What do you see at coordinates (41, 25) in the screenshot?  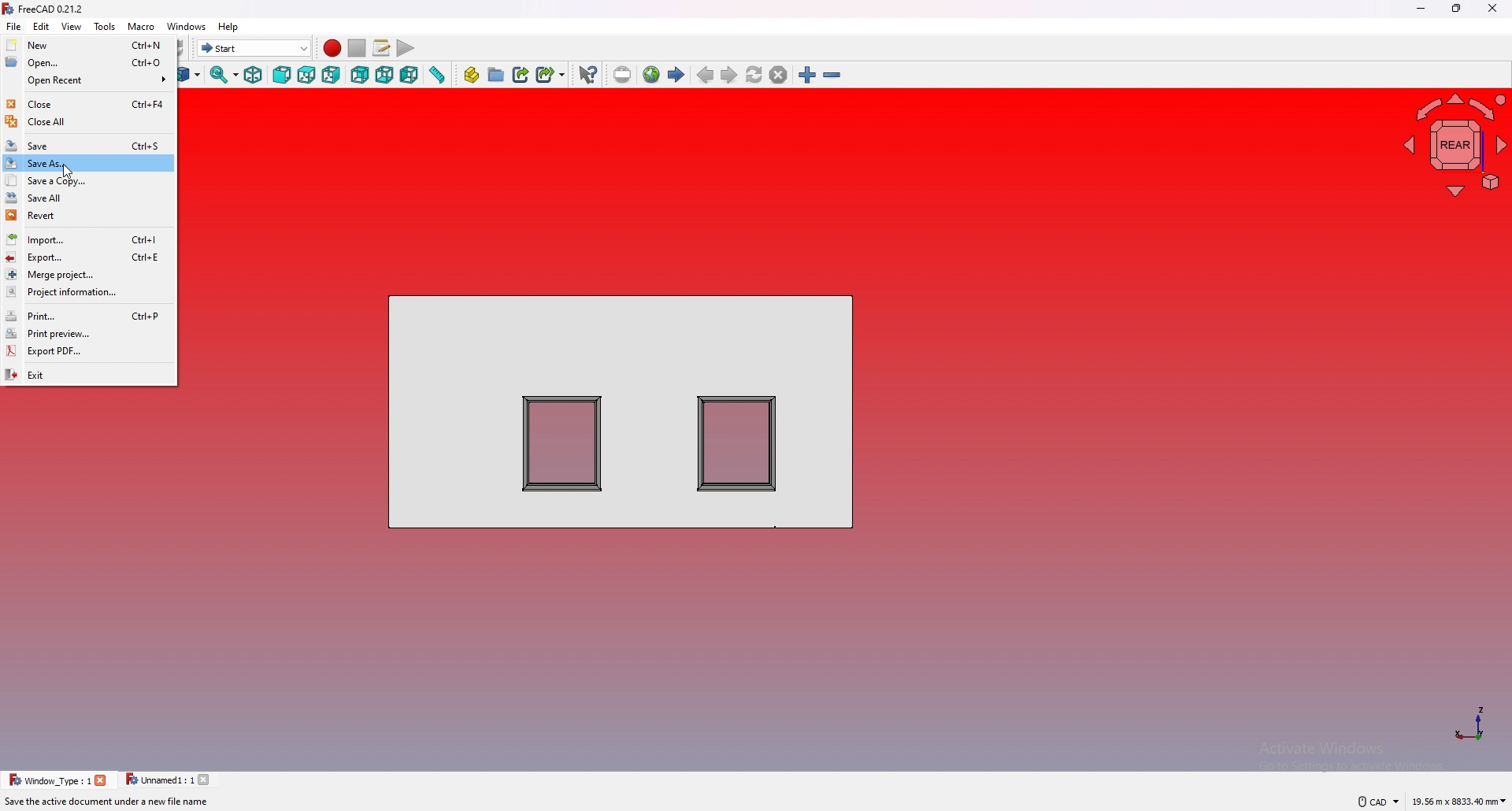 I see `edit` at bounding box center [41, 25].